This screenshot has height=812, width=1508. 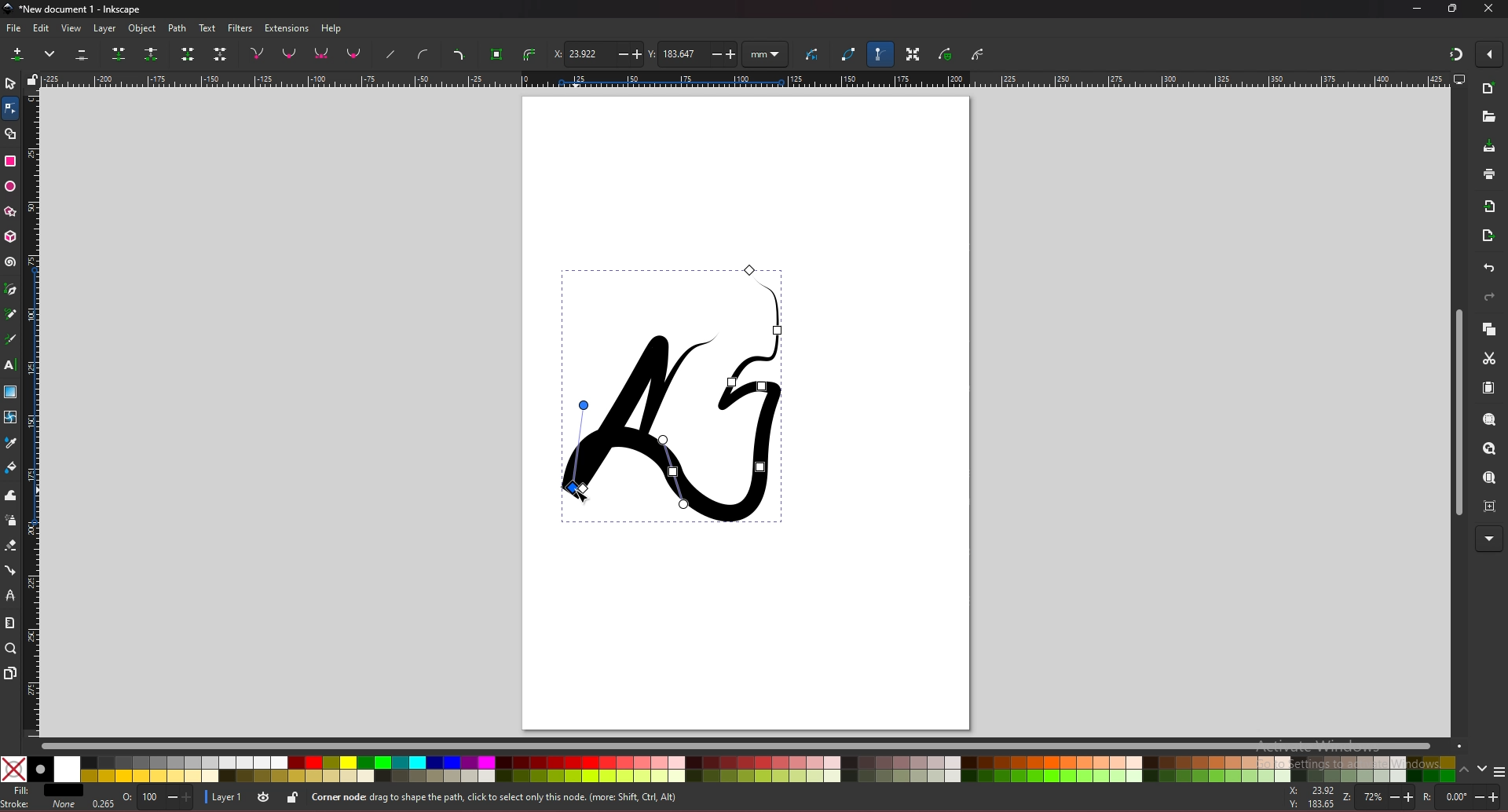 I want to click on delete segment, so click(x=221, y=53).